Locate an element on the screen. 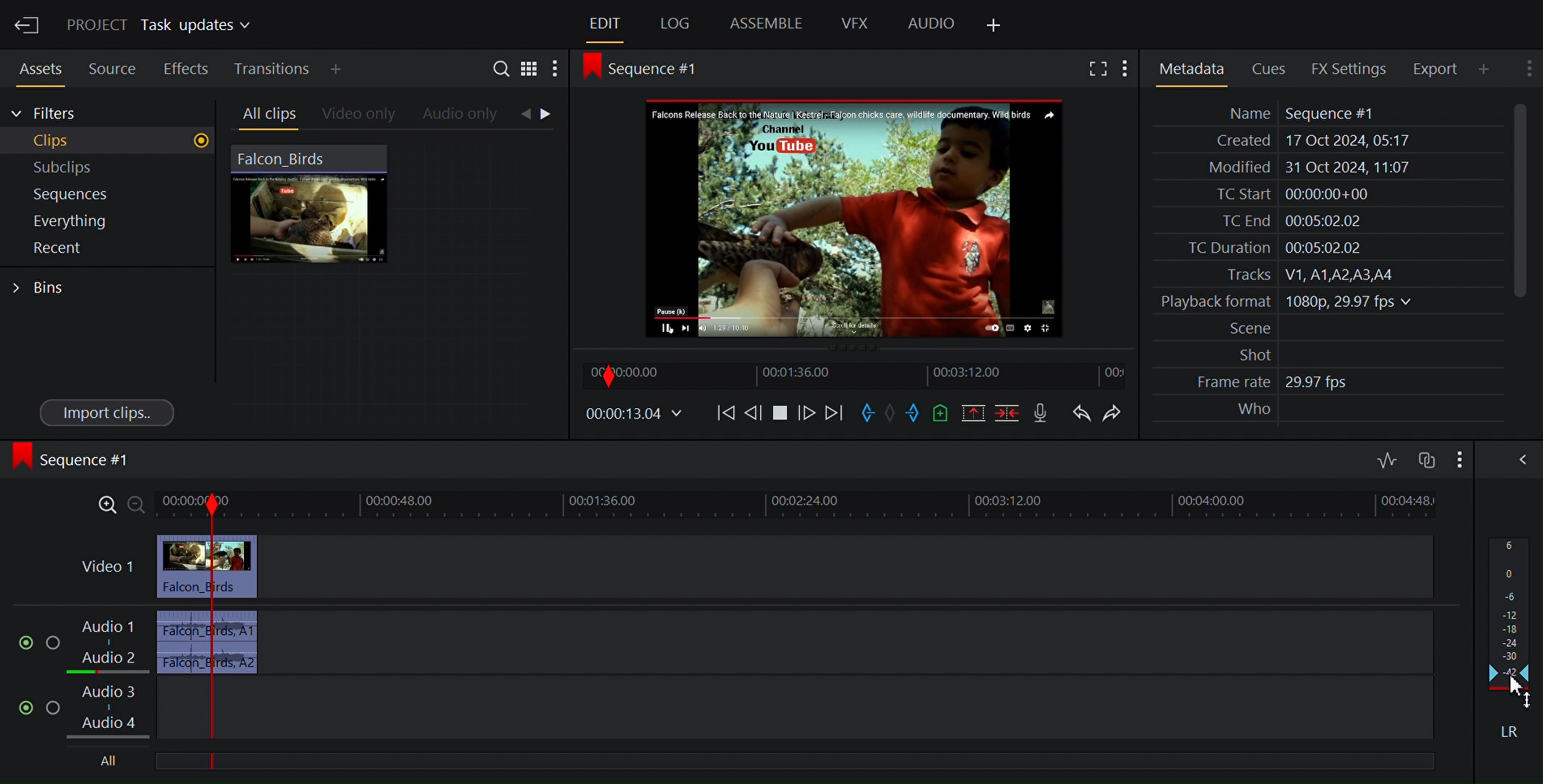 This screenshot has height=784, width=1543. Navigation is located at coordinates (545, 116).